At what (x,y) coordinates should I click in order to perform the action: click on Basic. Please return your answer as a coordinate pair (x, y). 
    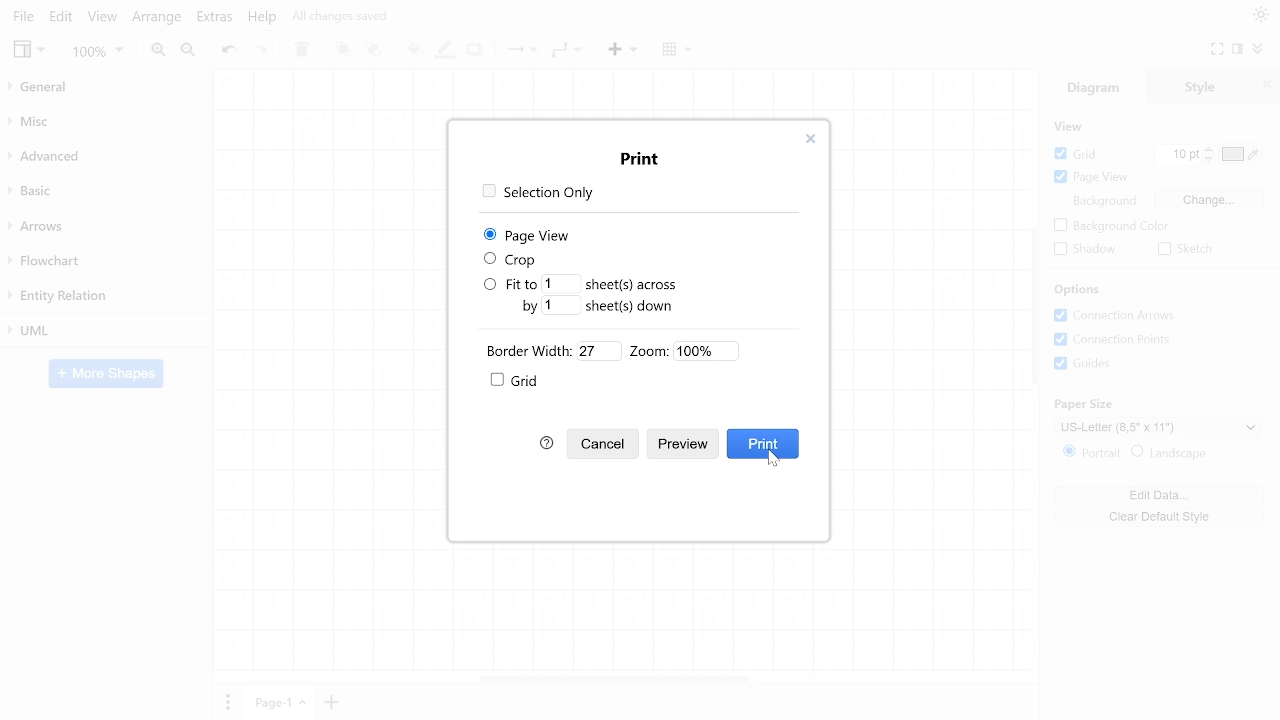
    Looking at the image, I should click on (103, 190).